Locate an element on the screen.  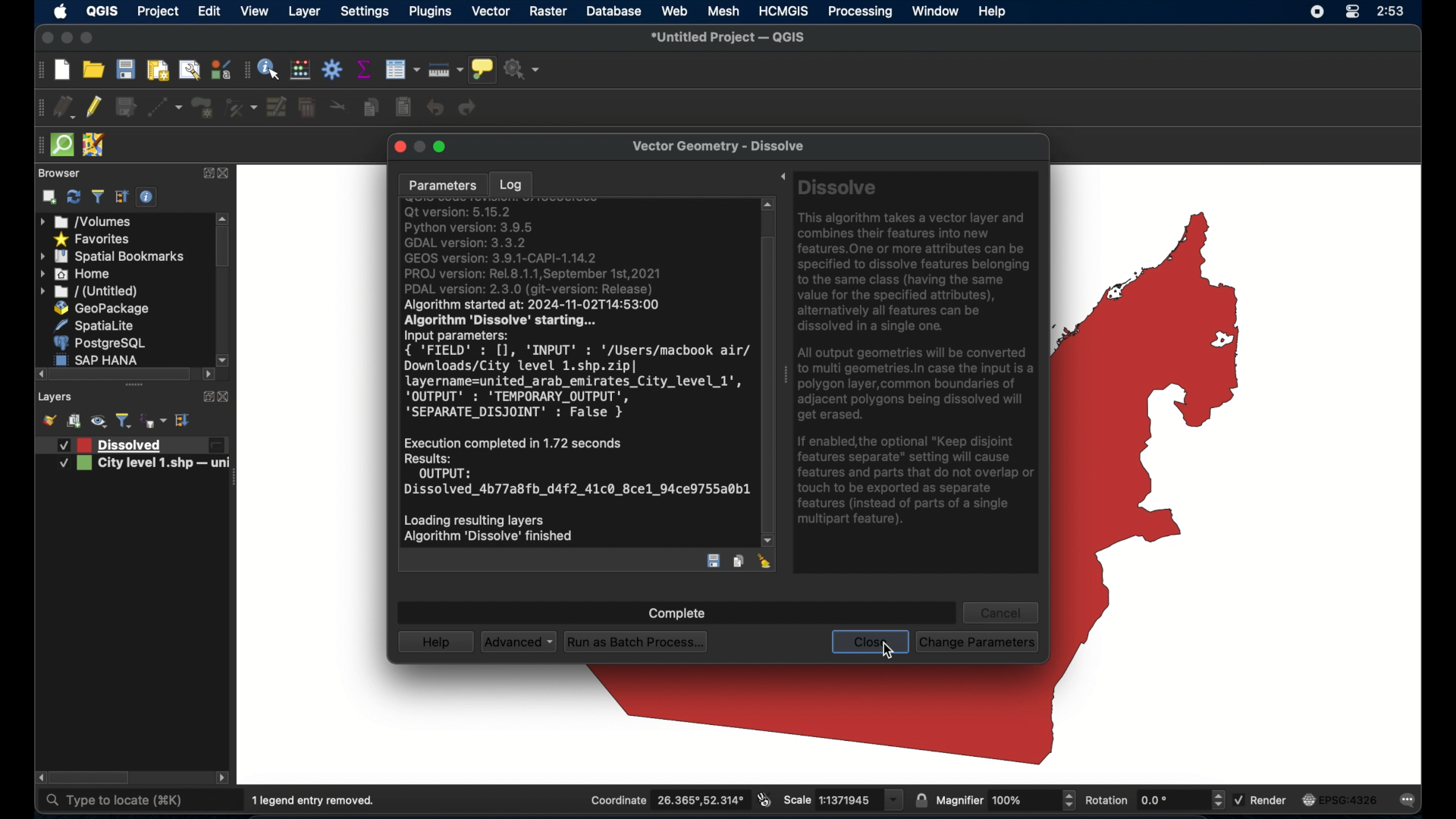
scroll right arrow is located at coordinates (40, 374).